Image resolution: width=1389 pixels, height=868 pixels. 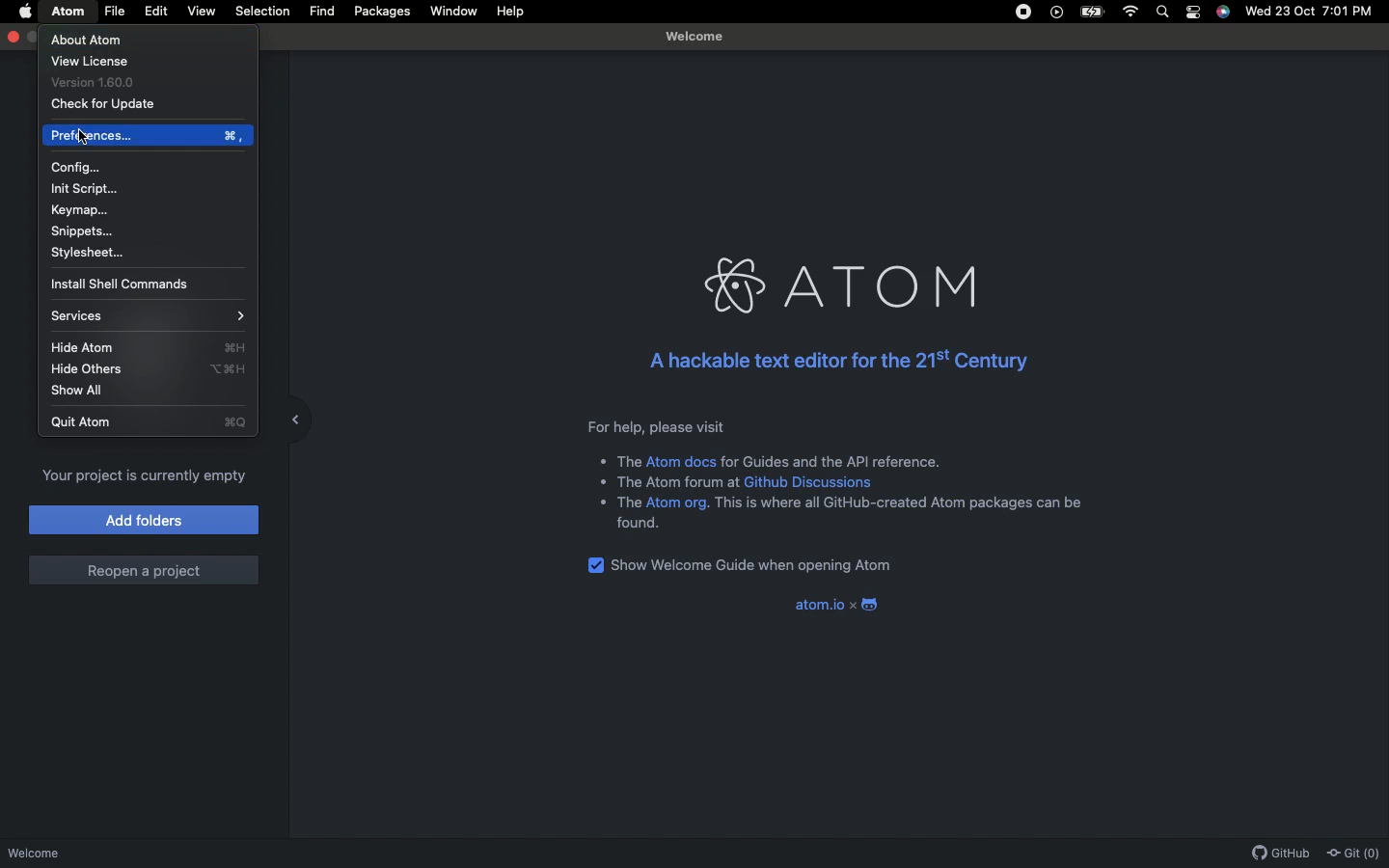 What do you see at coordinates (84, 211) in the screenshot?
I see `Keymap` at bounding box center [84, 211].